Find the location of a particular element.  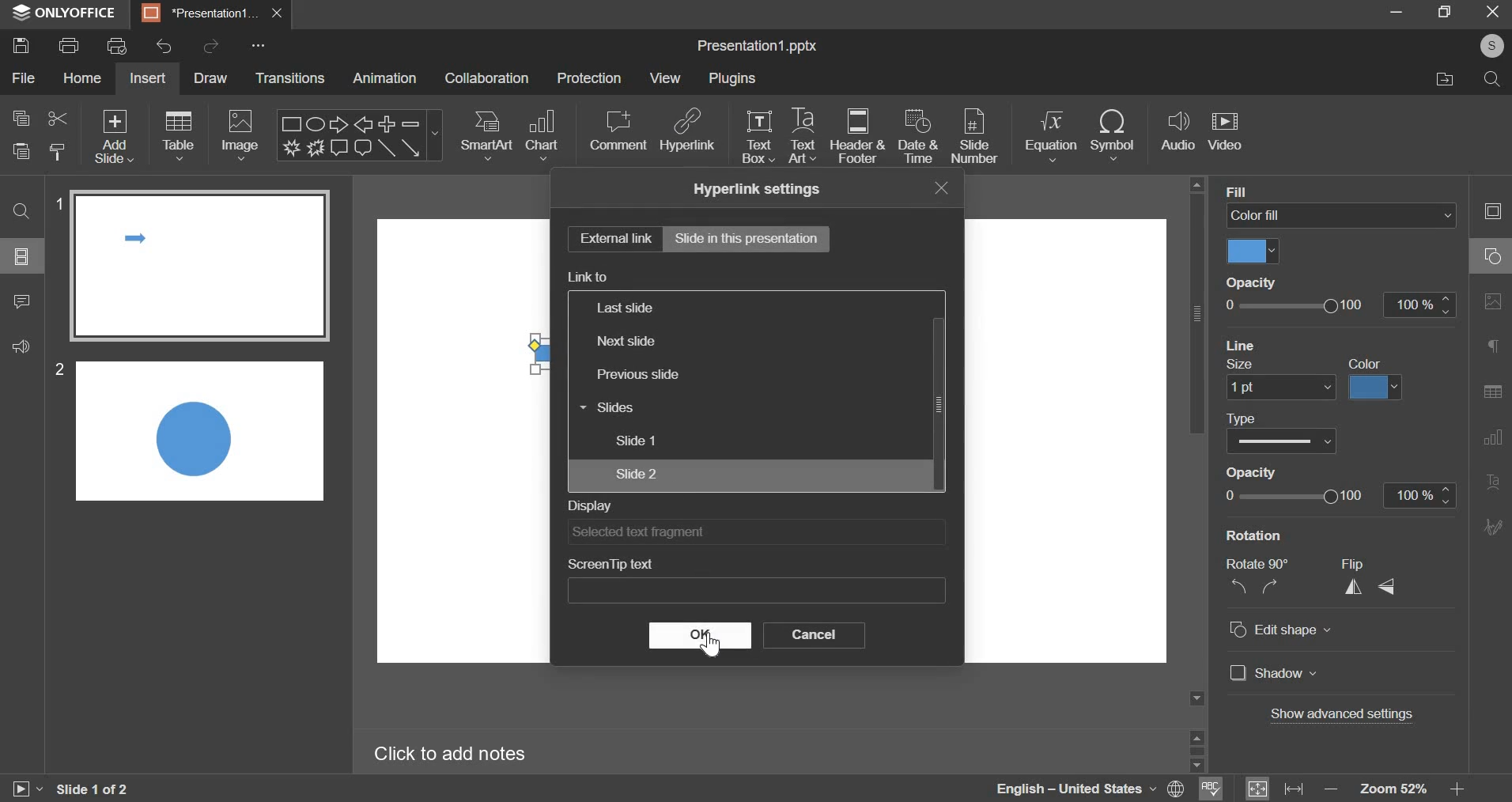

text box is located at coordinates (758, 136).